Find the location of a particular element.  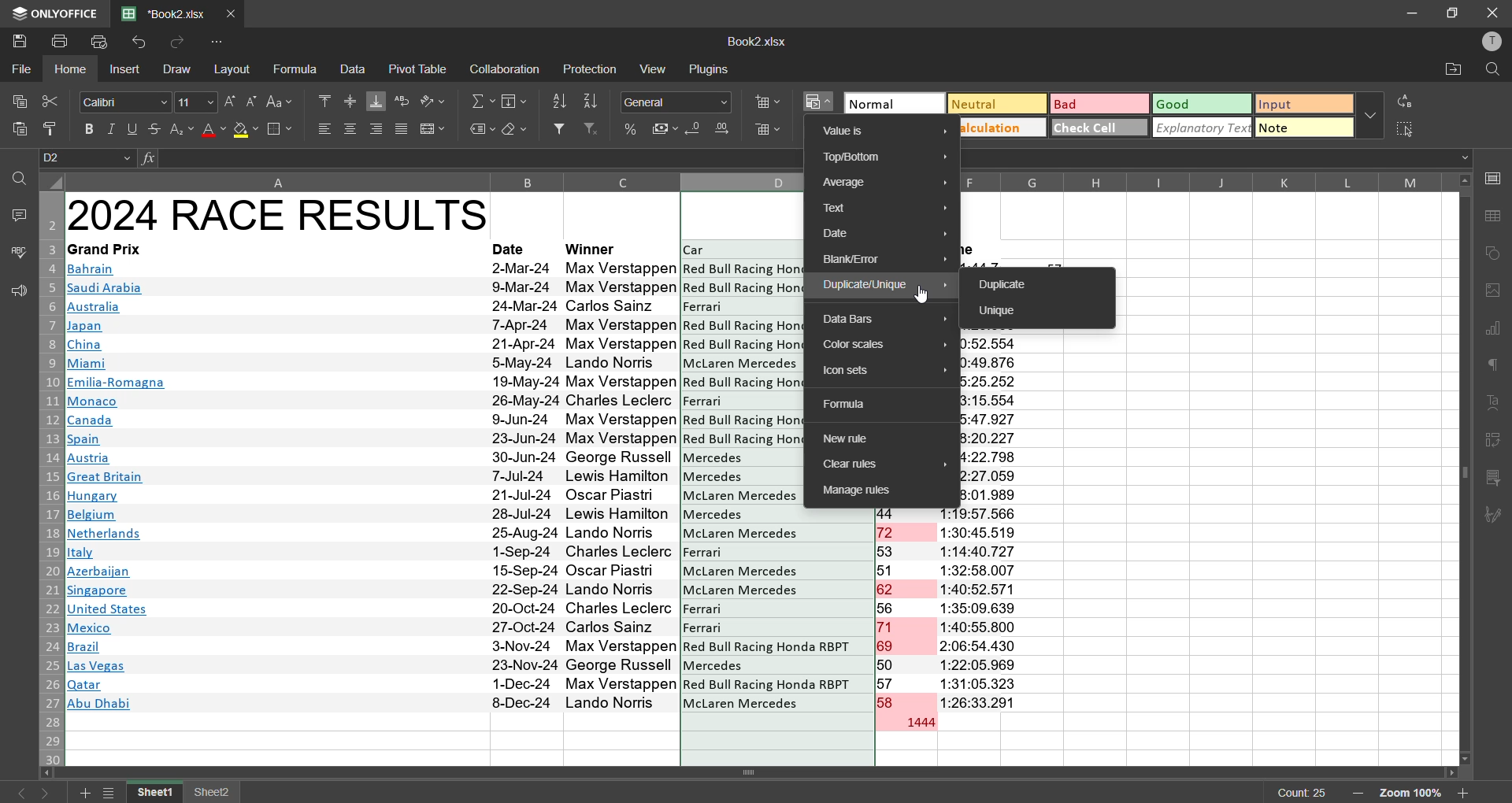

remove cells is located at coordinates (769, 132).